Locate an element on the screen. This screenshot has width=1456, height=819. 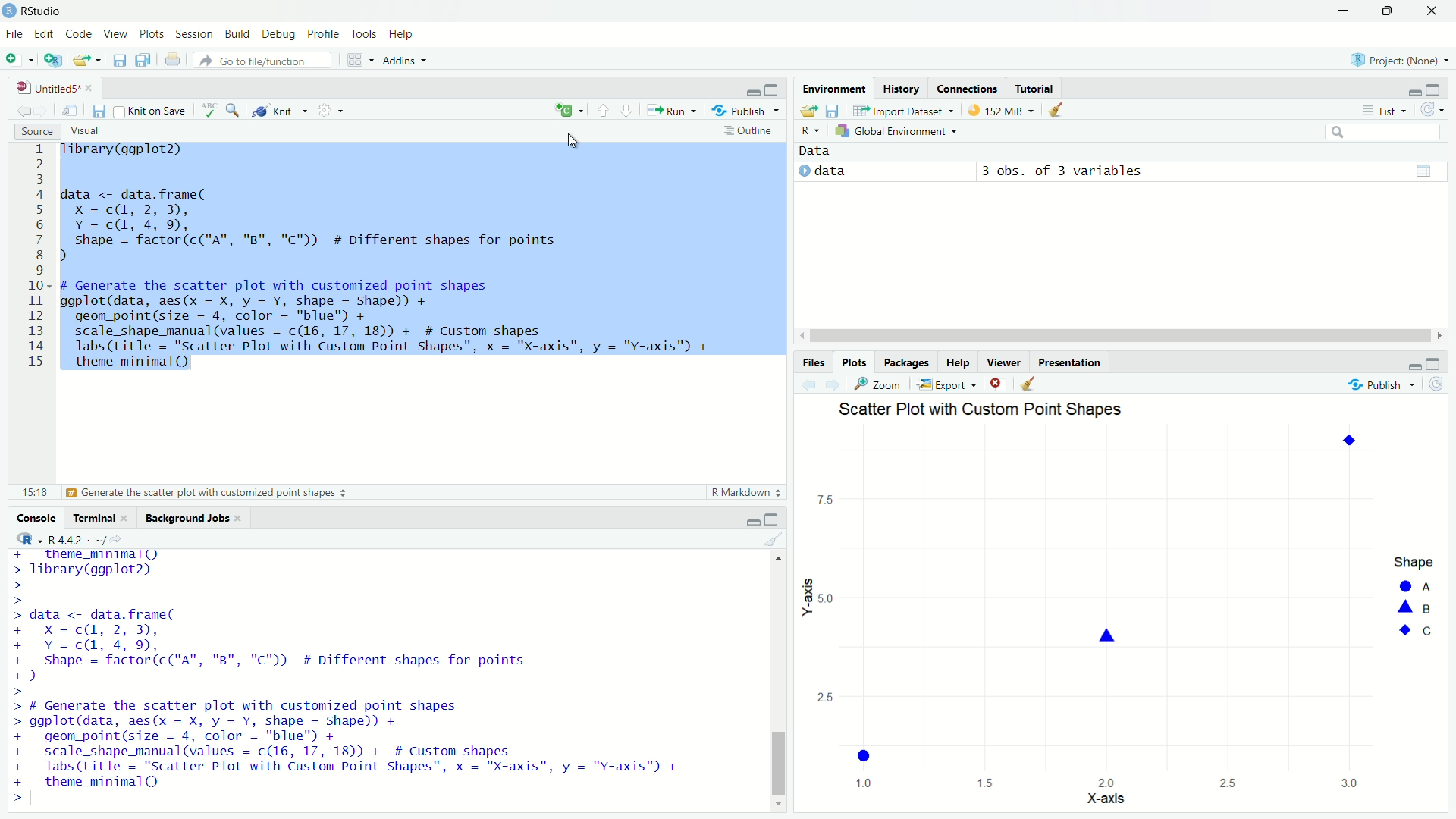
maximize is located at coordinates (773, 90).